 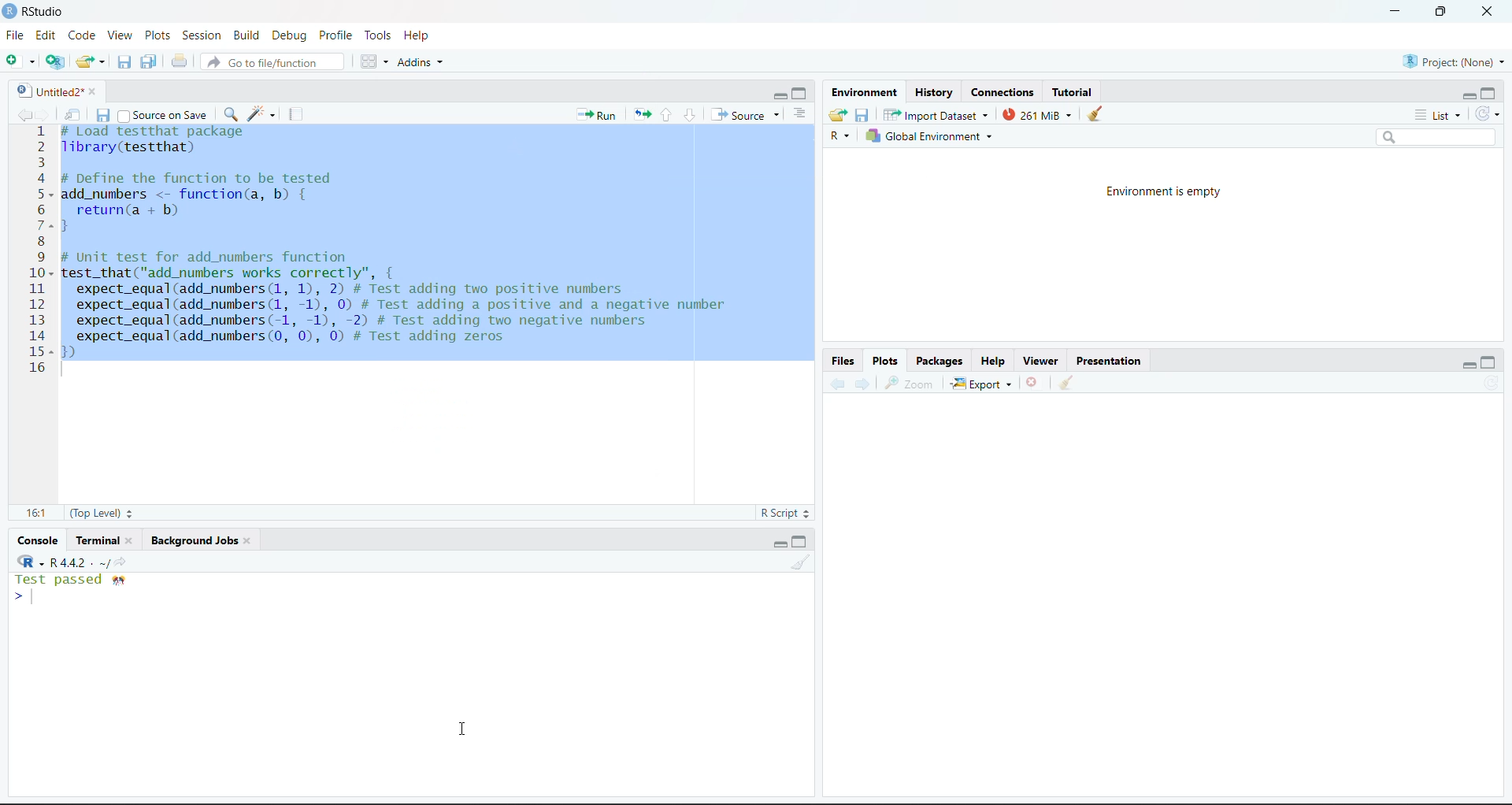 I want to click on Presentation, so click(x=1110, y=360).